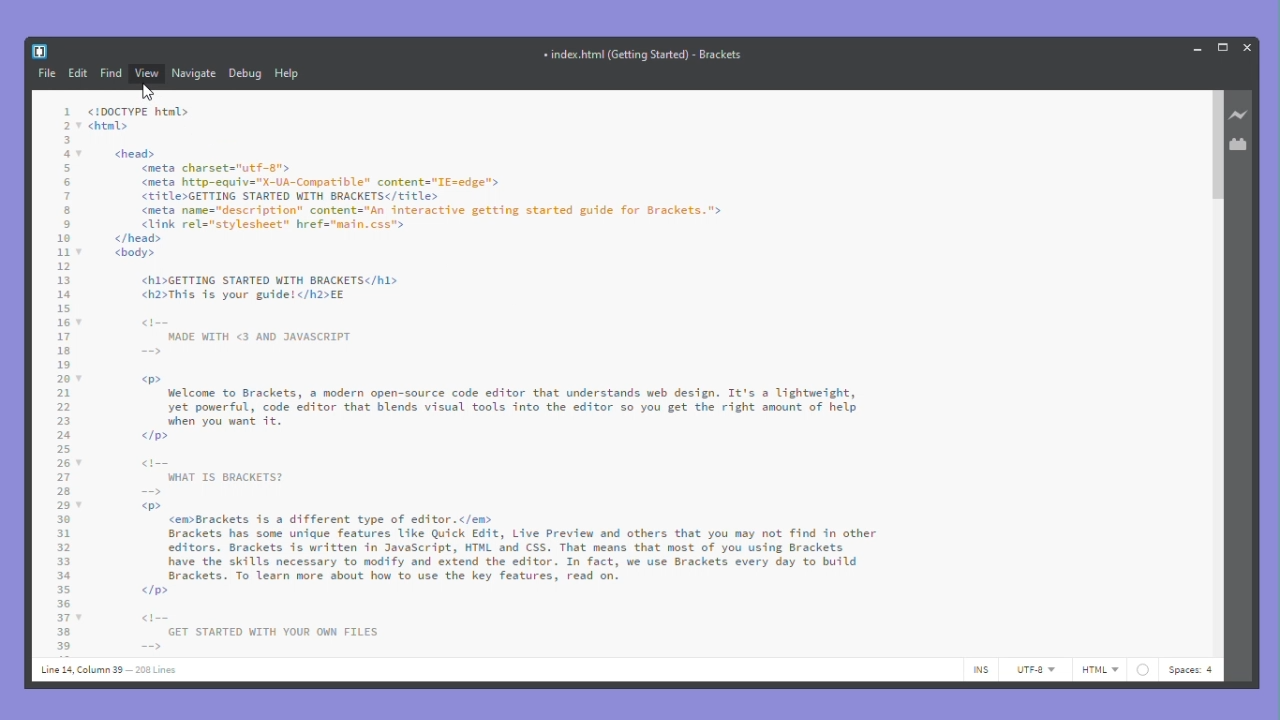  I want to click on 24, so click(64, 435).